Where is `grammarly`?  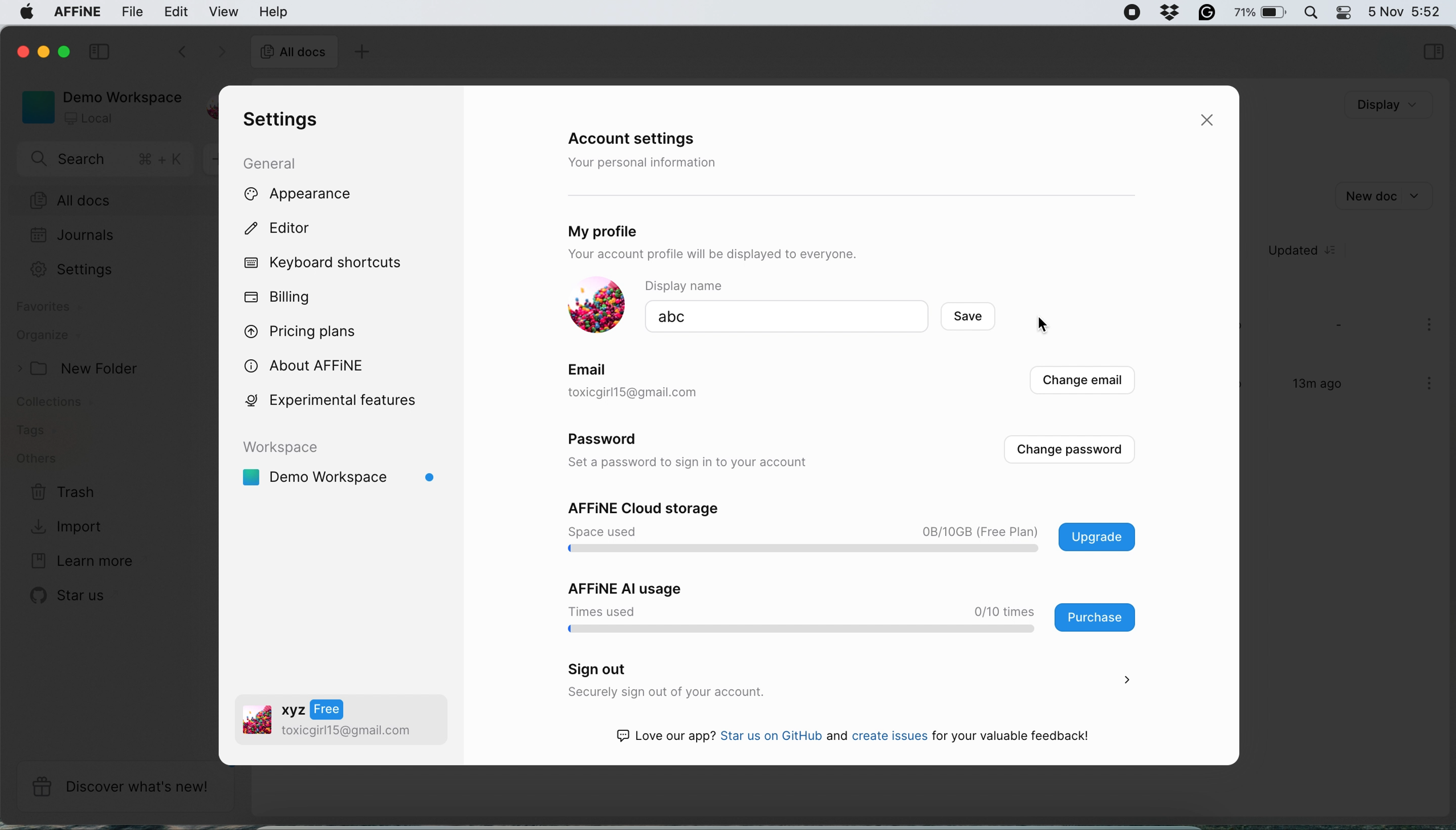
grammarly is located at coordinates (1166, 11).